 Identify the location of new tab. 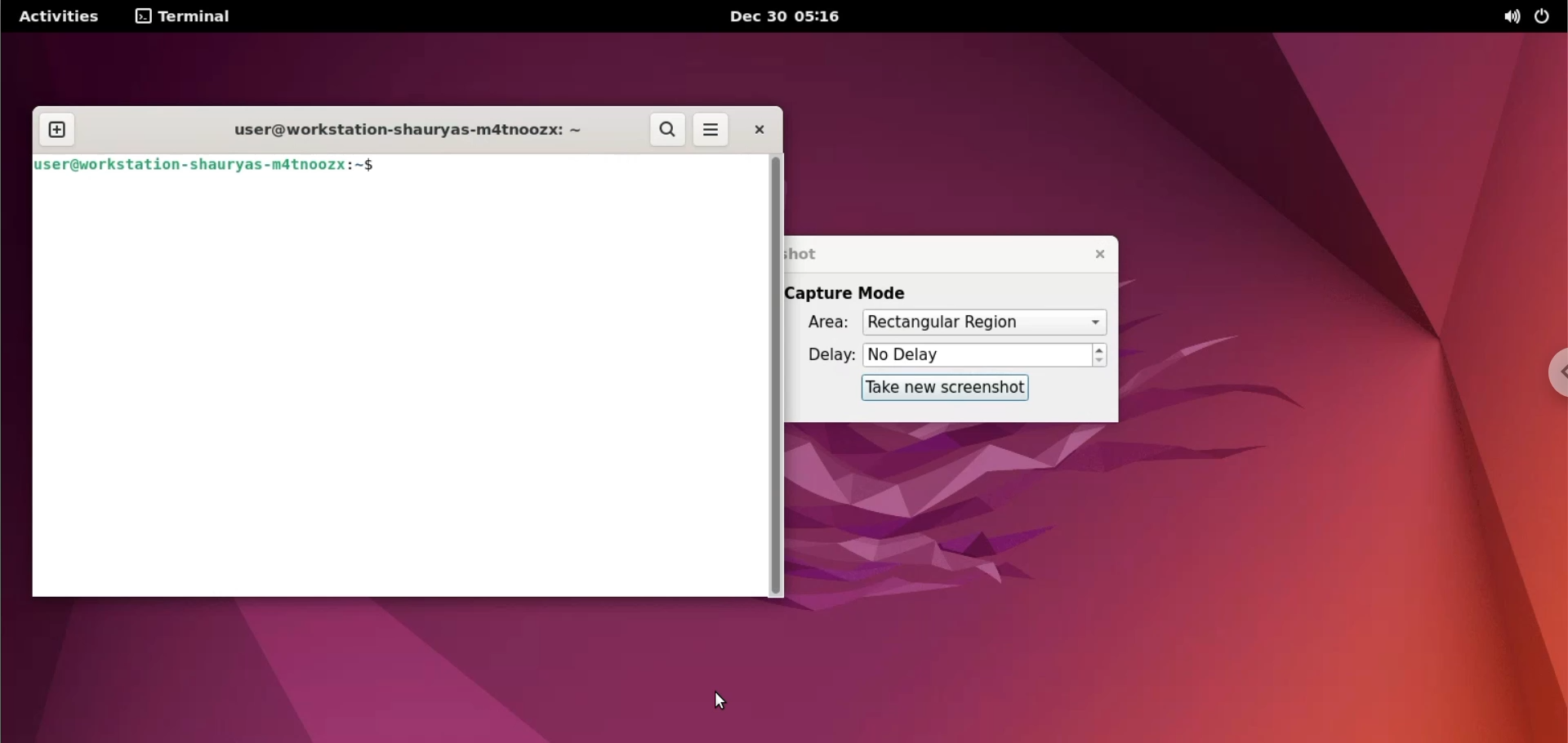
(55, 129).